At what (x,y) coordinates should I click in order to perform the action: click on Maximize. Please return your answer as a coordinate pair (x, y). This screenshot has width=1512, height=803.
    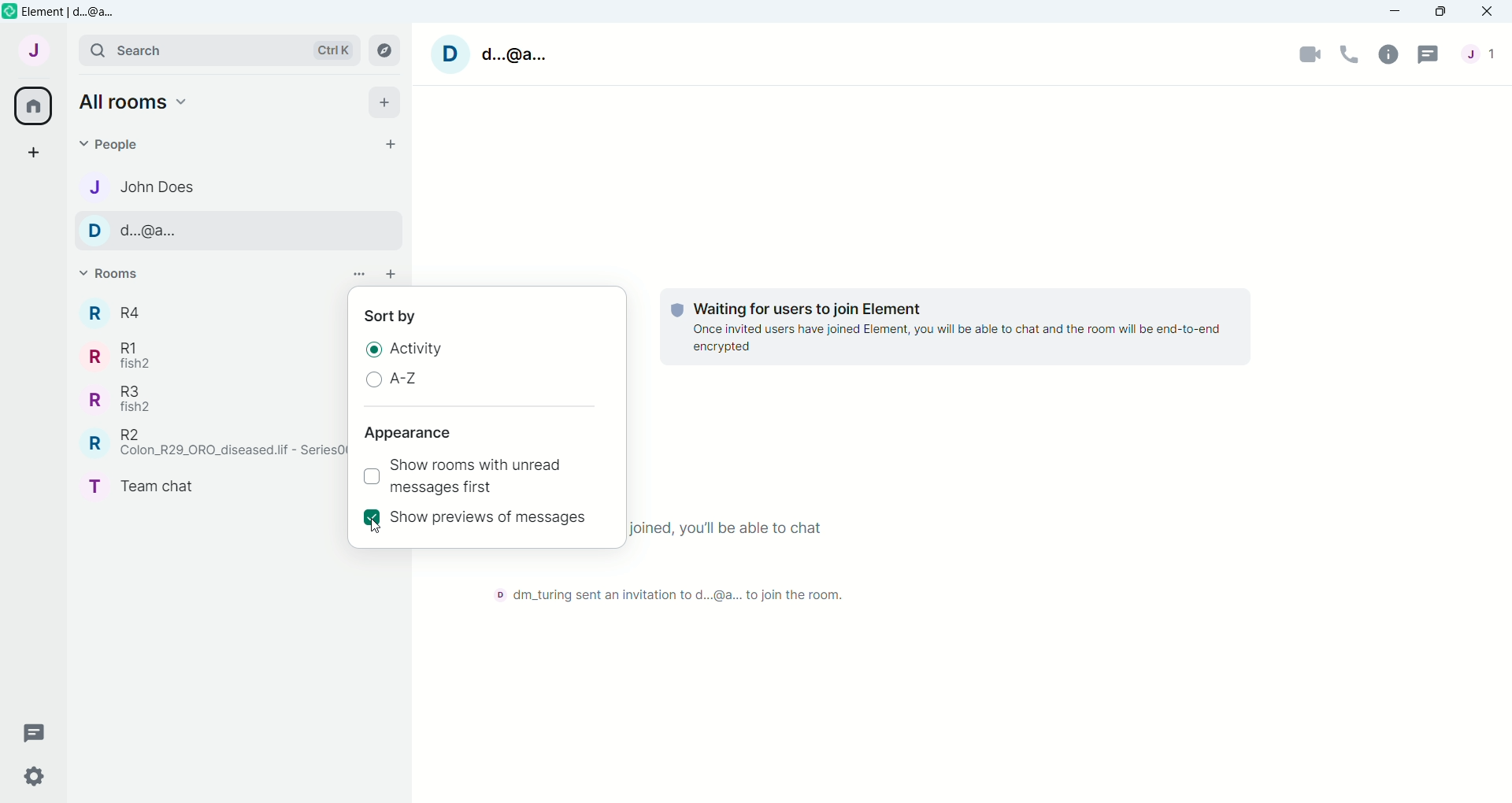
    Looking at the image, I should click on (1440, 12).